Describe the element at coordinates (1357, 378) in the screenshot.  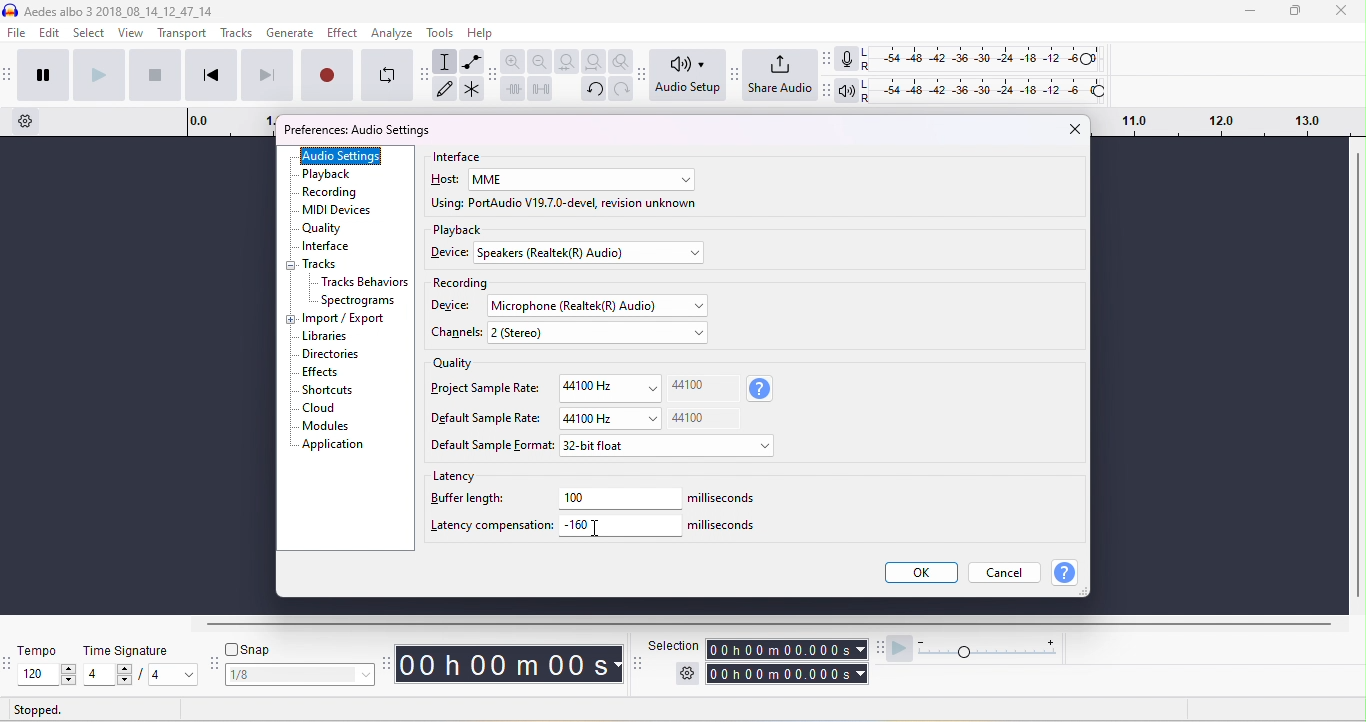
I see `vertical scroll bar` at that location.